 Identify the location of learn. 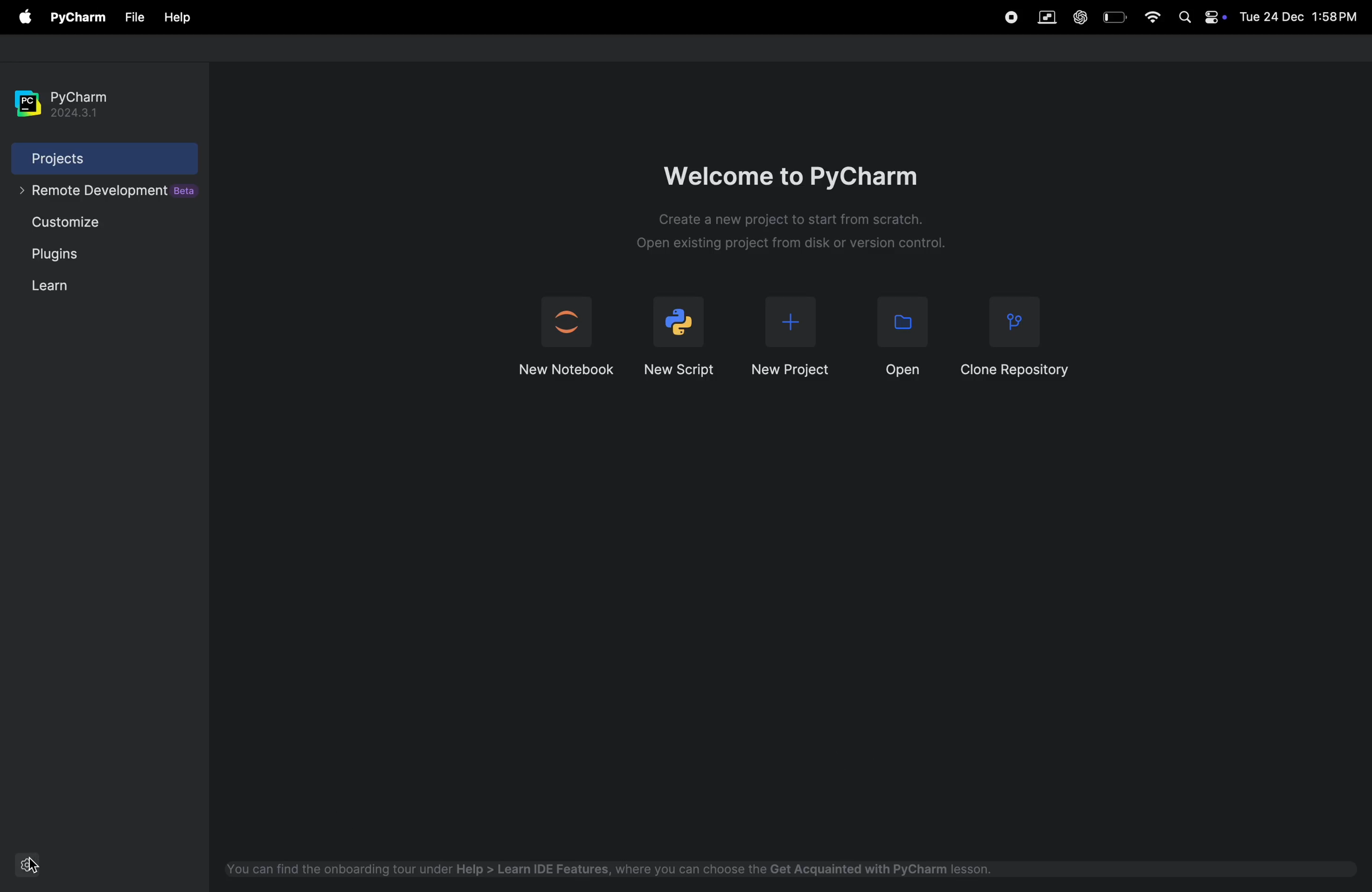
(50, 286).